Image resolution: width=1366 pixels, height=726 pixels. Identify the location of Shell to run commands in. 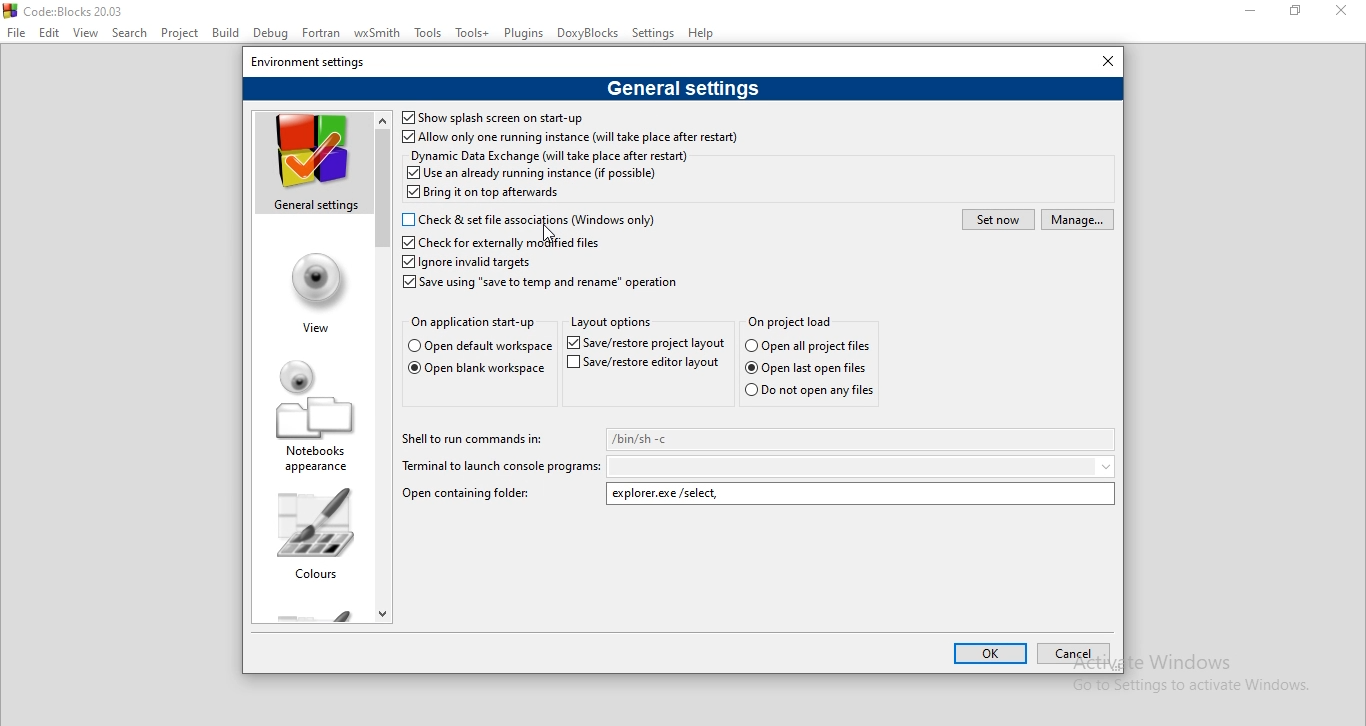
(476, 438).